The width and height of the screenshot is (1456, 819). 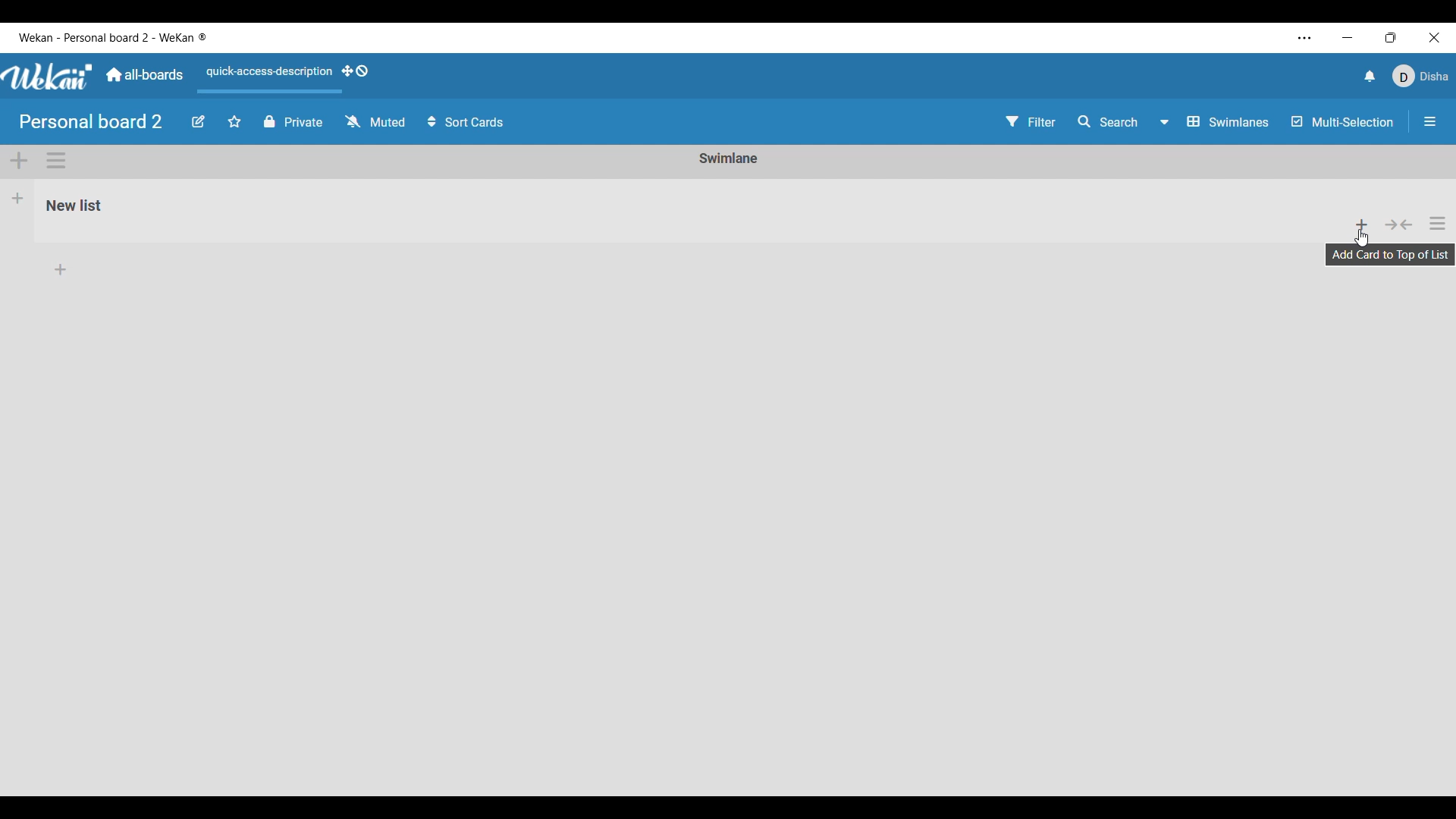 What do you see at coordinates (92, 121) in the screenshot?
I see `Board title` at bounding box center [92, 121].